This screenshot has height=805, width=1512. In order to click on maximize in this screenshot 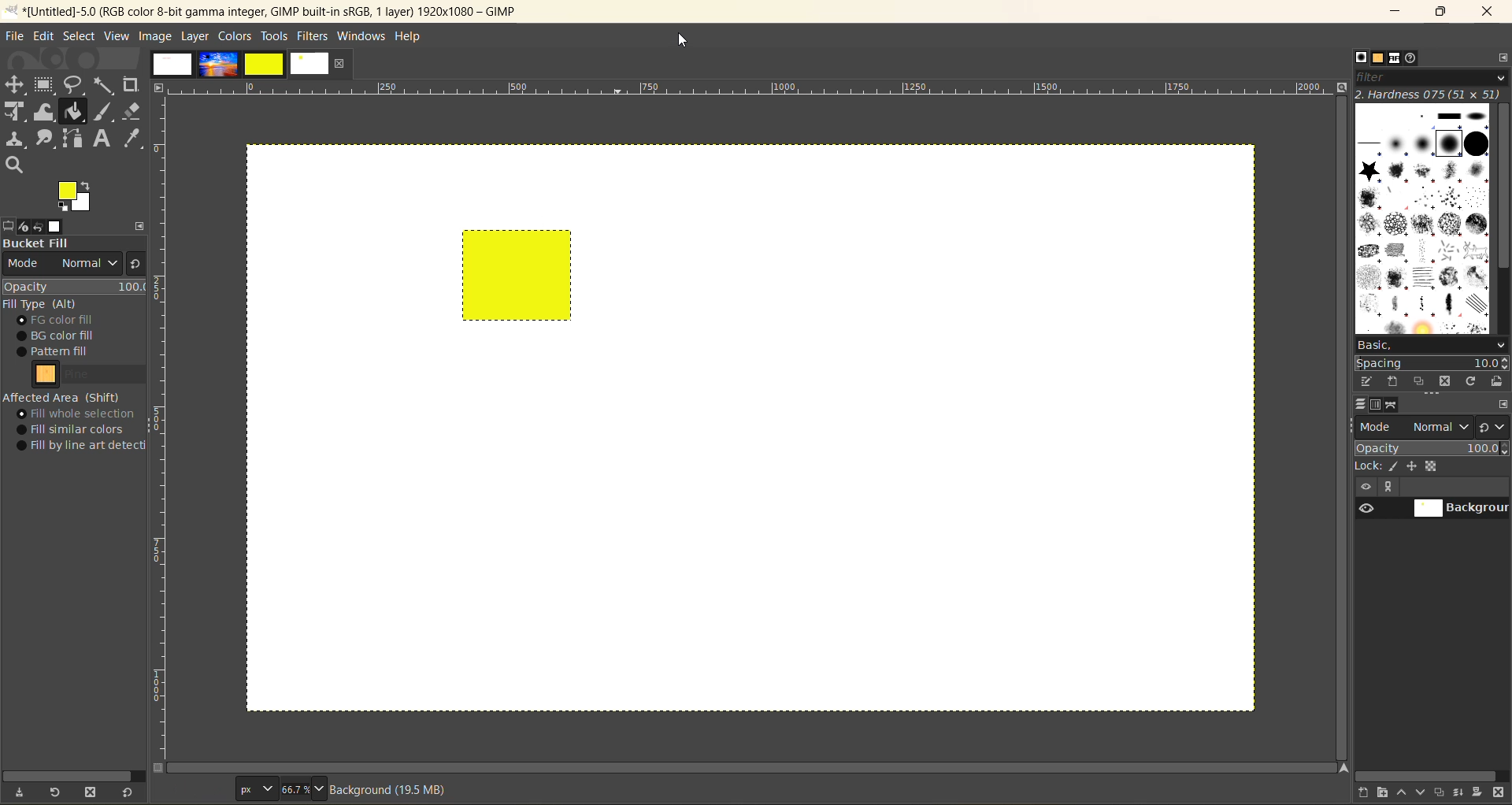, I will do `click(1441, 14)`.